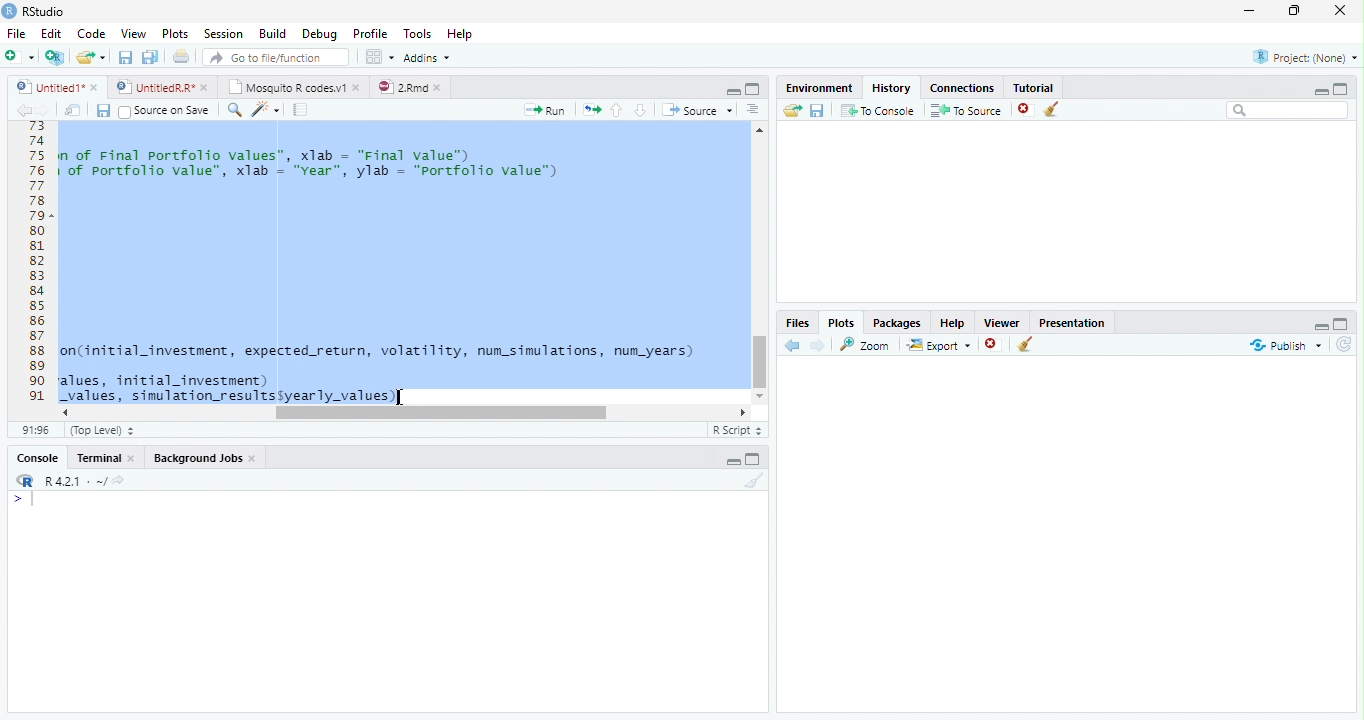 The image size is (1364, 720). Describe the element at coordinates (1321, 90) in the screenshot. I see `Hide` at that location.